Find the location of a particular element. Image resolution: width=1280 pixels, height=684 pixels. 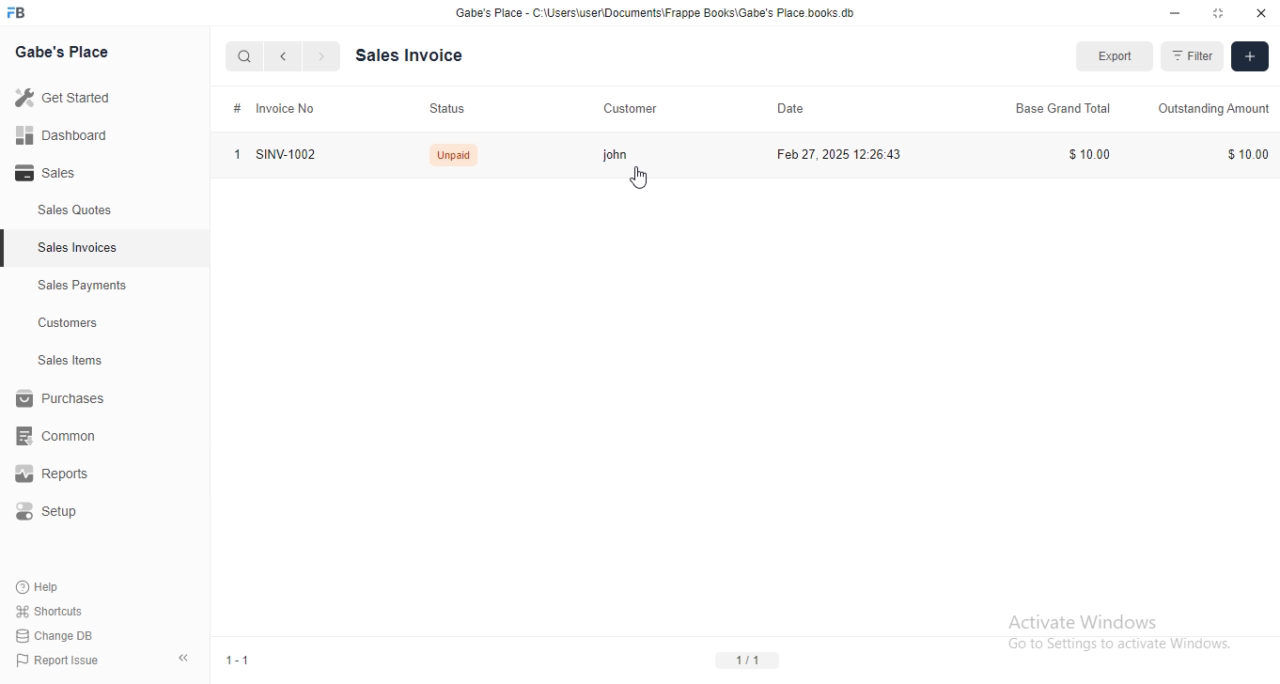

sales is located at coordinates (48, 172).